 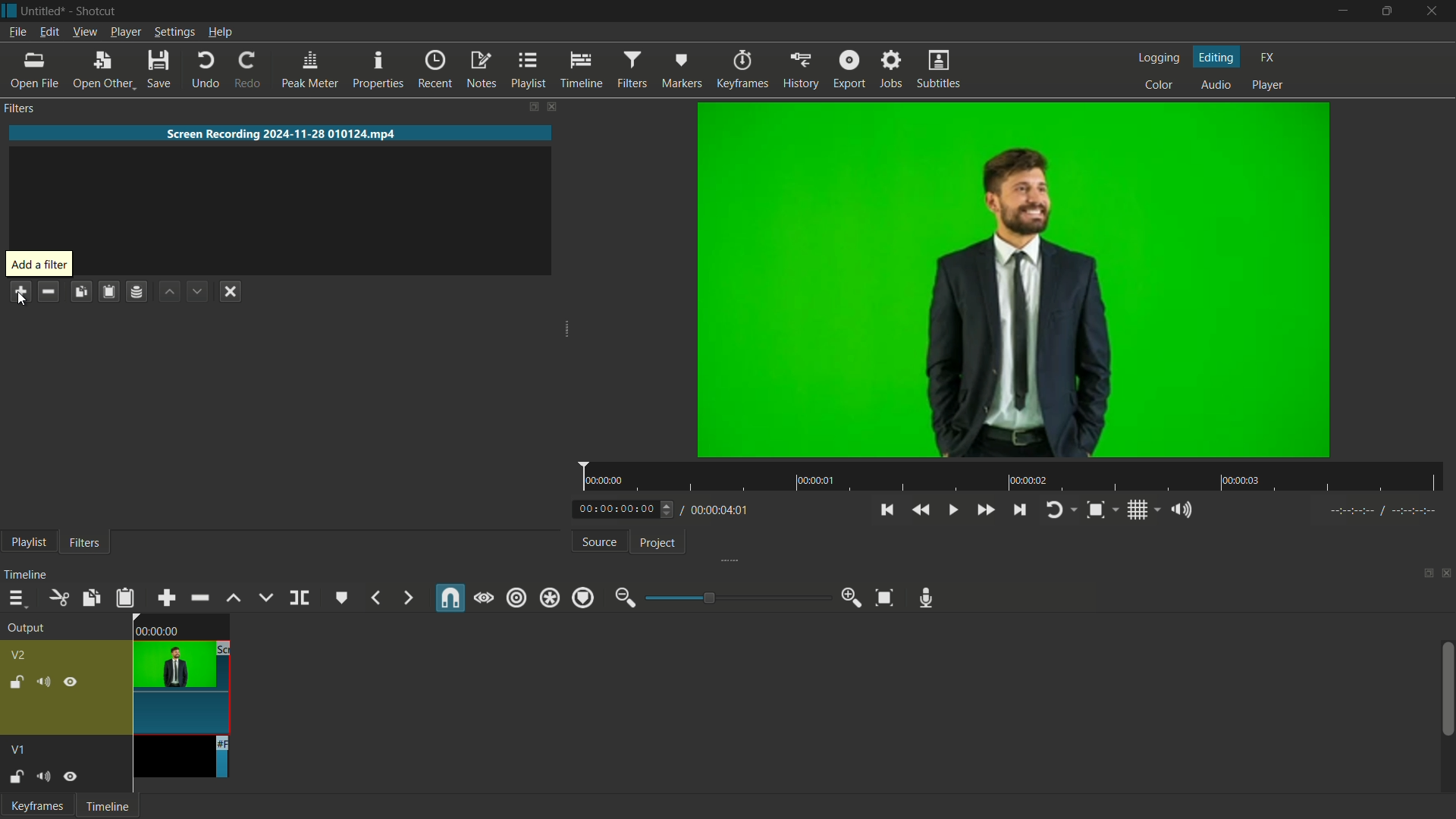 I want to click on recent, so click(x=435, y=71).